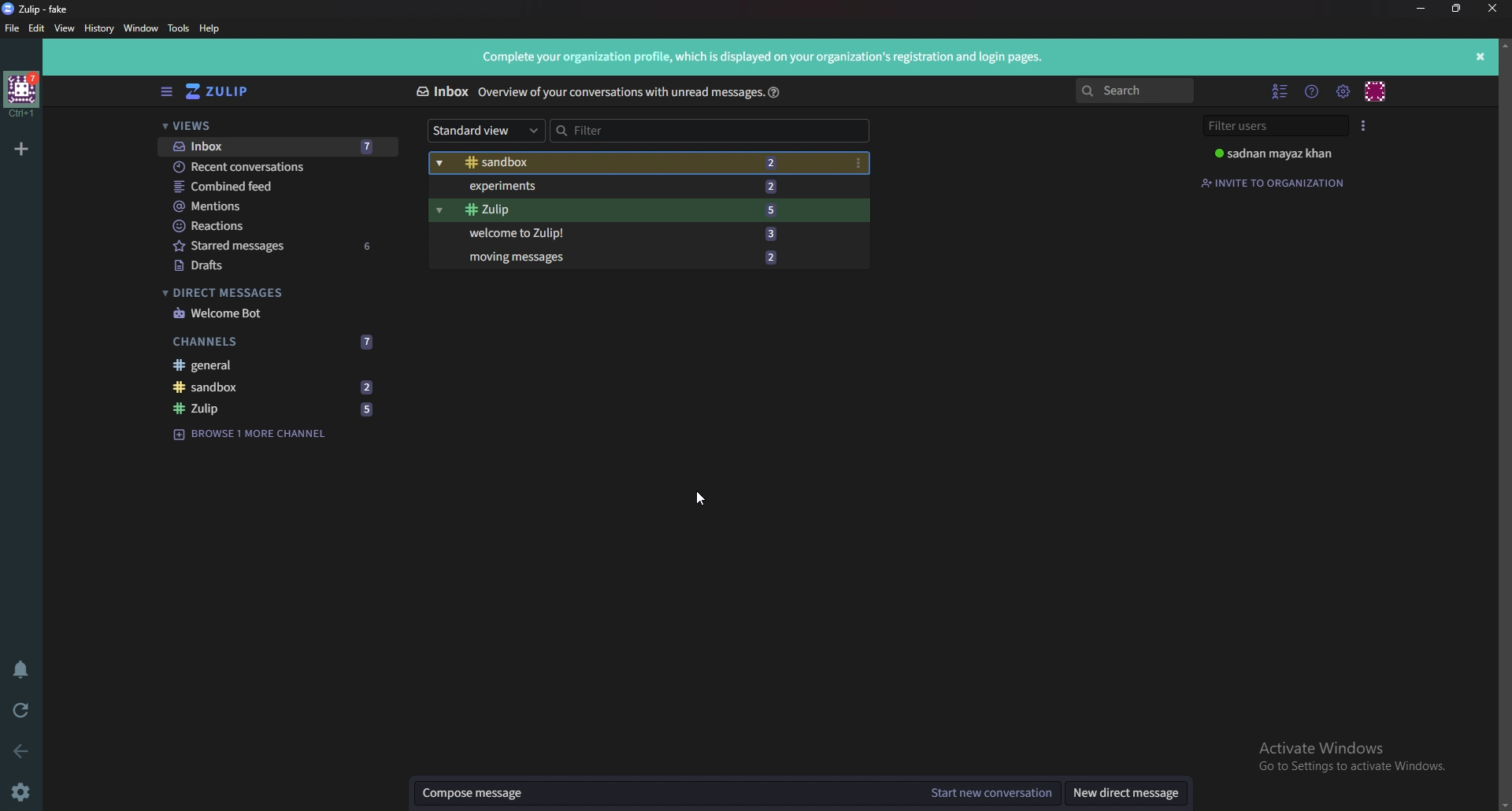 Image resolution: width=1512 pixels, height=811 pixels. I want to click on Personal menu, so click(1375, 91).